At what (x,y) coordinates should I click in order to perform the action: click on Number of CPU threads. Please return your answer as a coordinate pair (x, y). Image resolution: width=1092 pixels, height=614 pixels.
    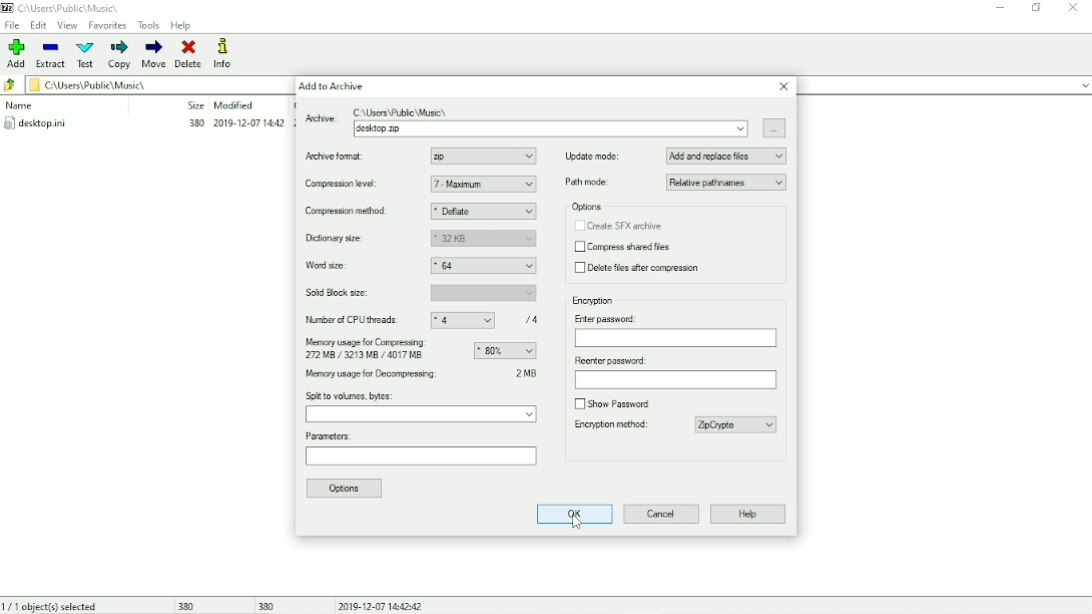
    Looking at the image, I should click on (427, 320).